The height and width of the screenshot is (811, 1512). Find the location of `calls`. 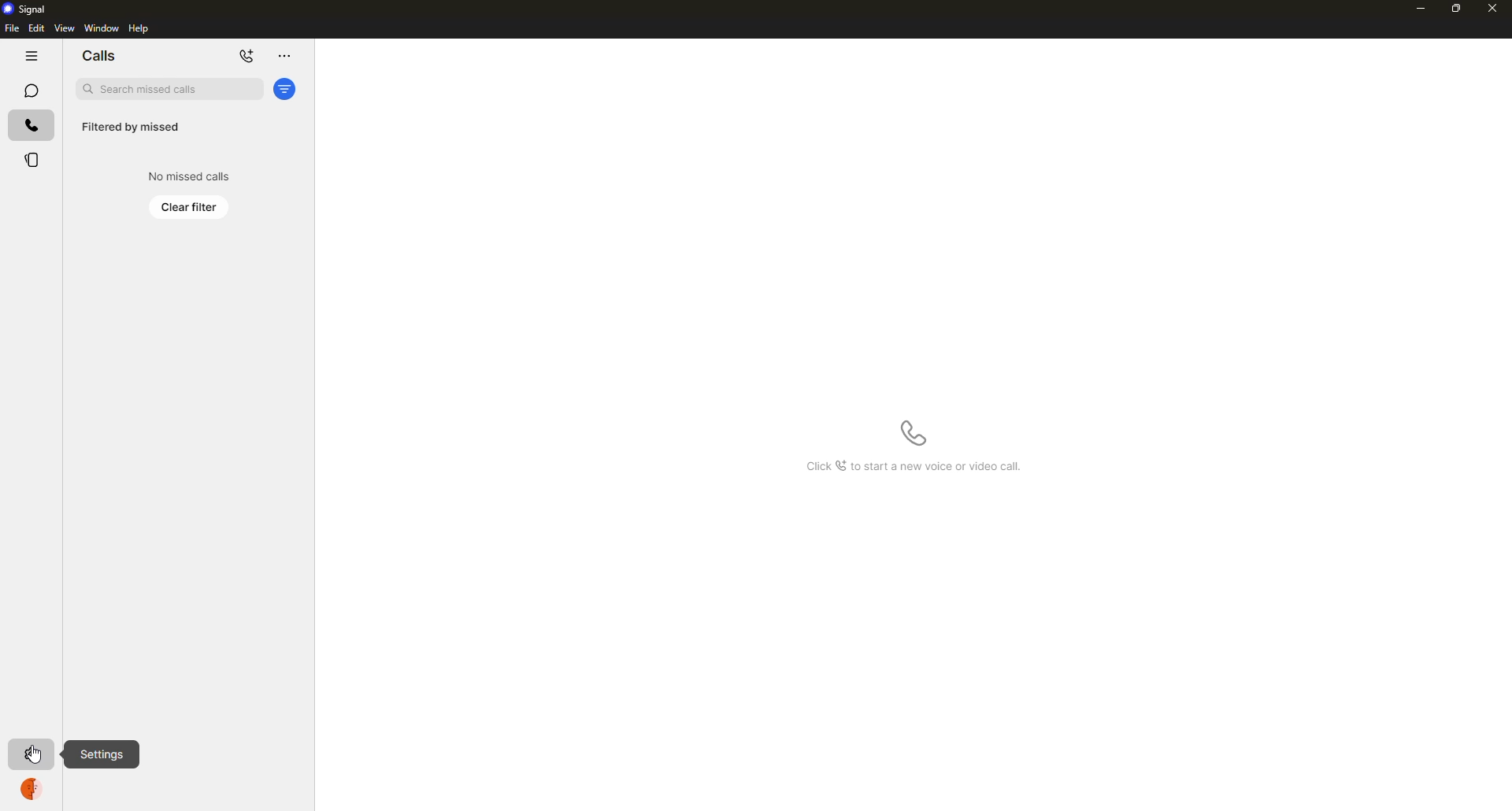

calls is located at coordinates (31, 126).